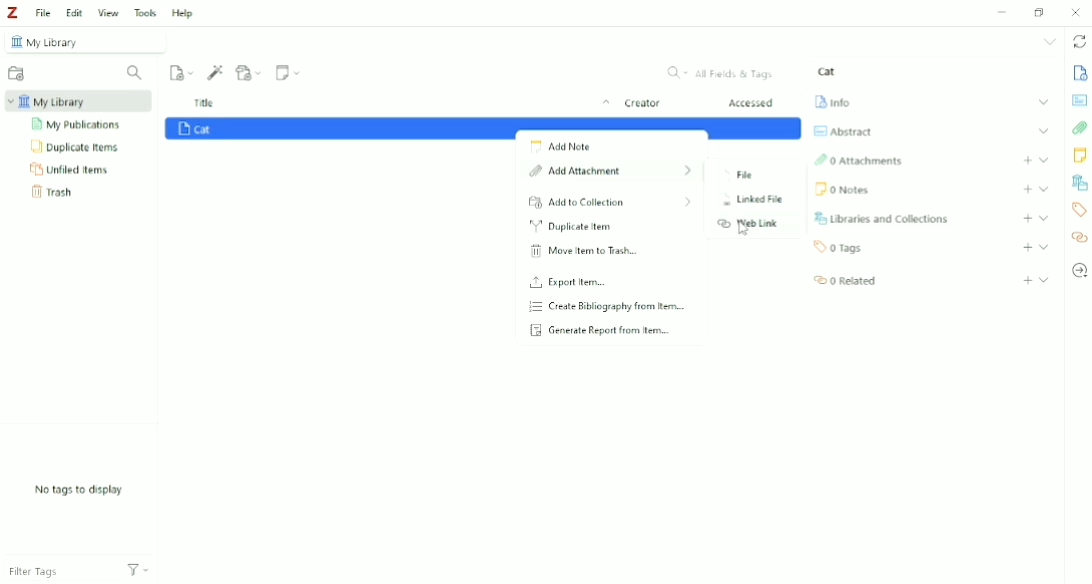 This screenshot has height=584, width=1092. I want to click on Title, so click(404, 104).